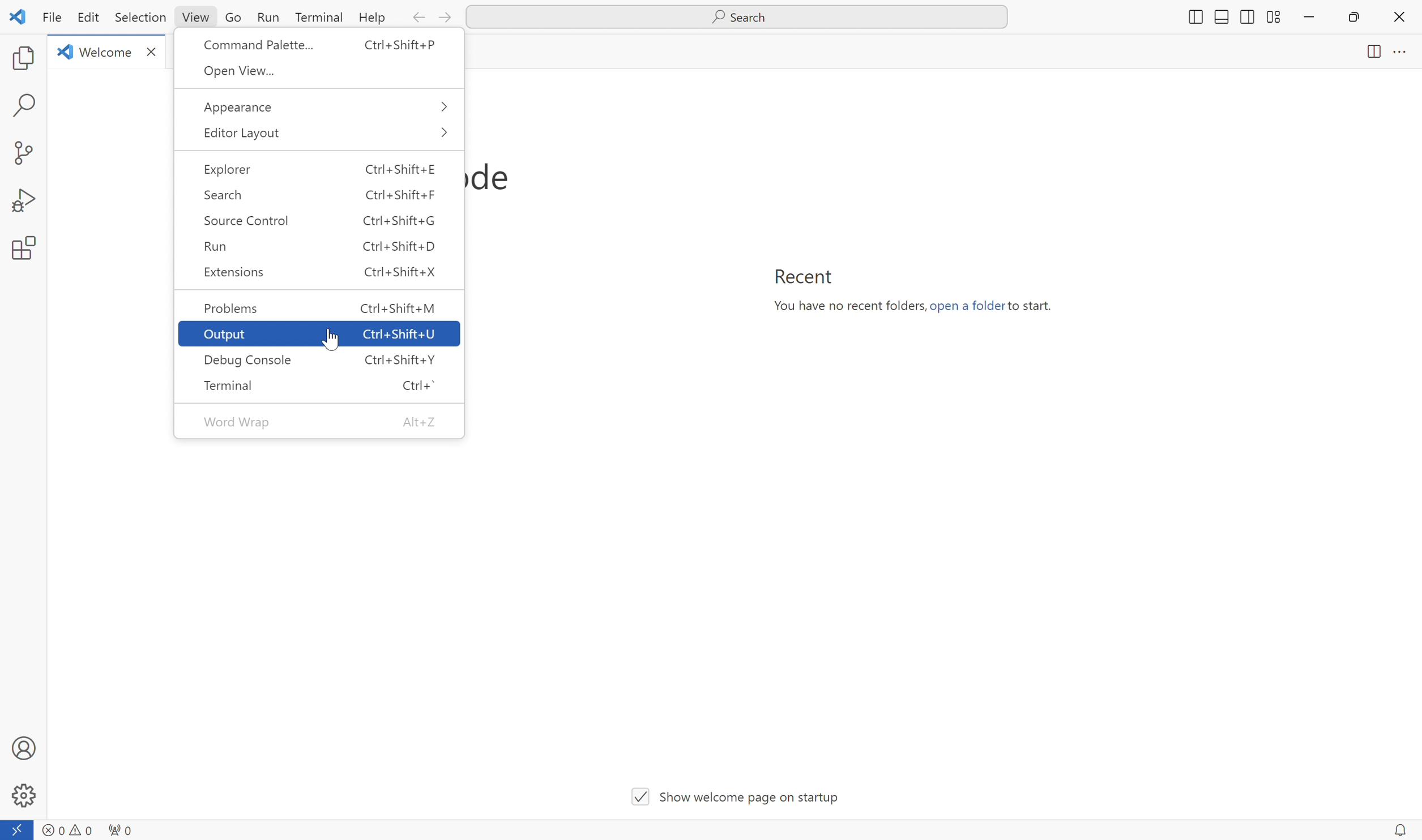 This screenshot has width=1422, height=840. Describe the element at coordinates (1400, 830) in the screenshot. I see `notifications` at that location.